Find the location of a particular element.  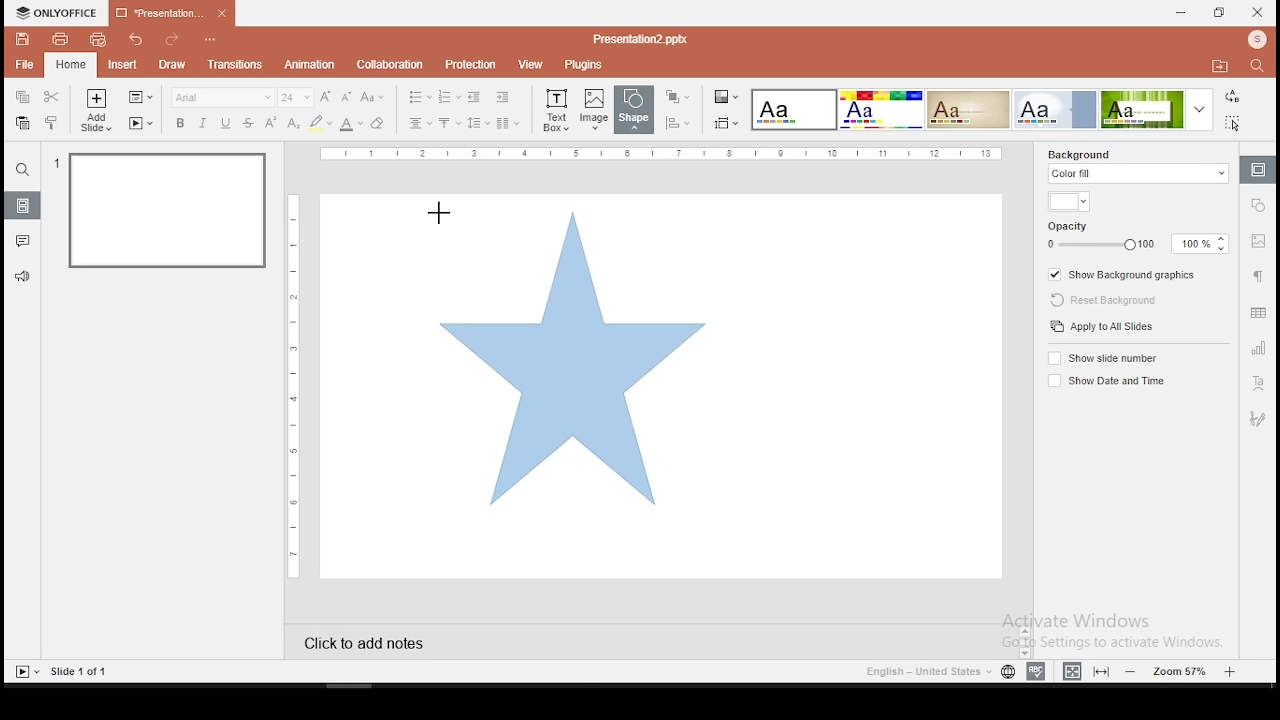

decrease indent is located at coordinates (476, 96).